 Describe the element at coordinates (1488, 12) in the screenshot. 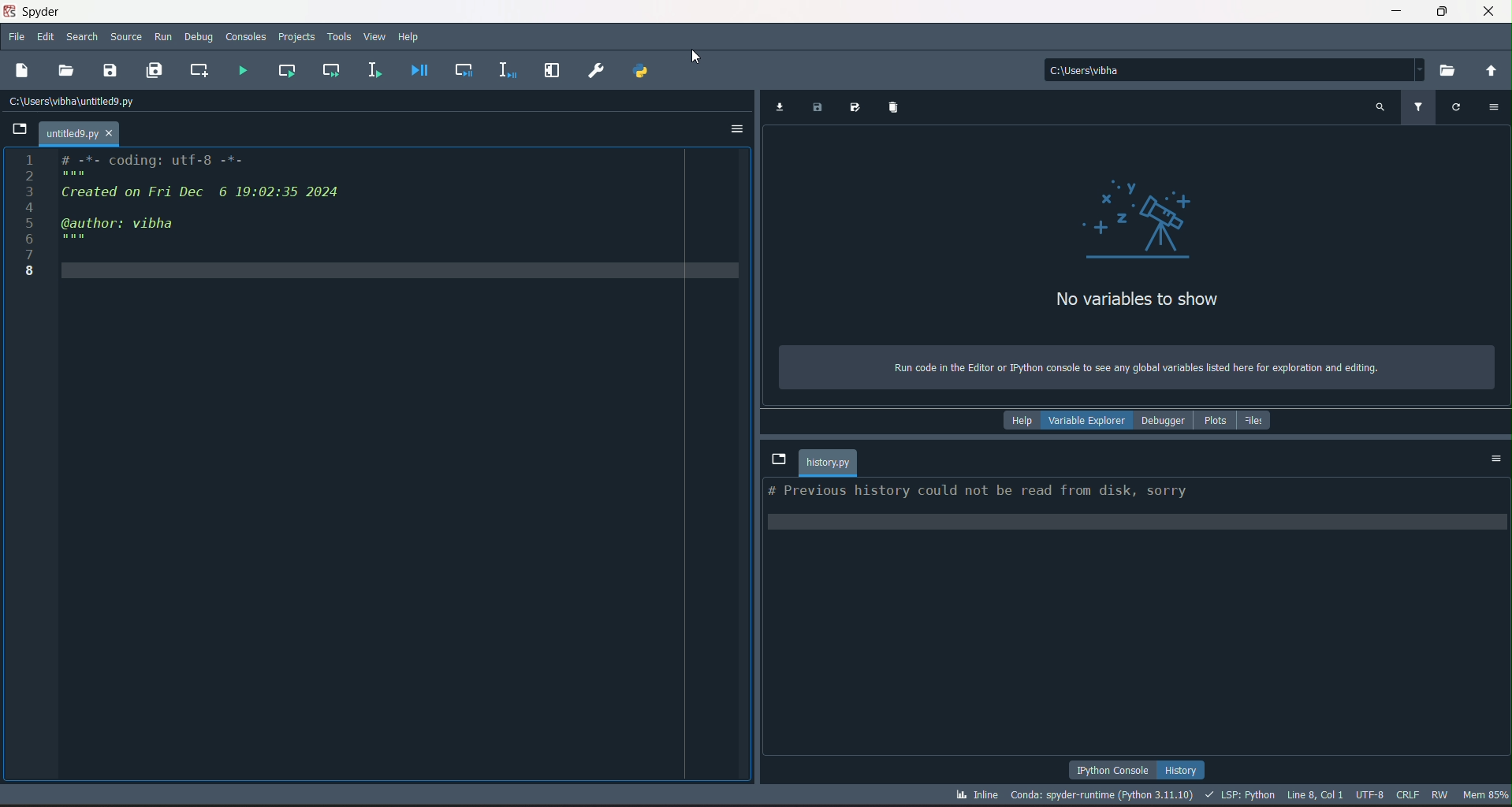

I see `close` at that location.